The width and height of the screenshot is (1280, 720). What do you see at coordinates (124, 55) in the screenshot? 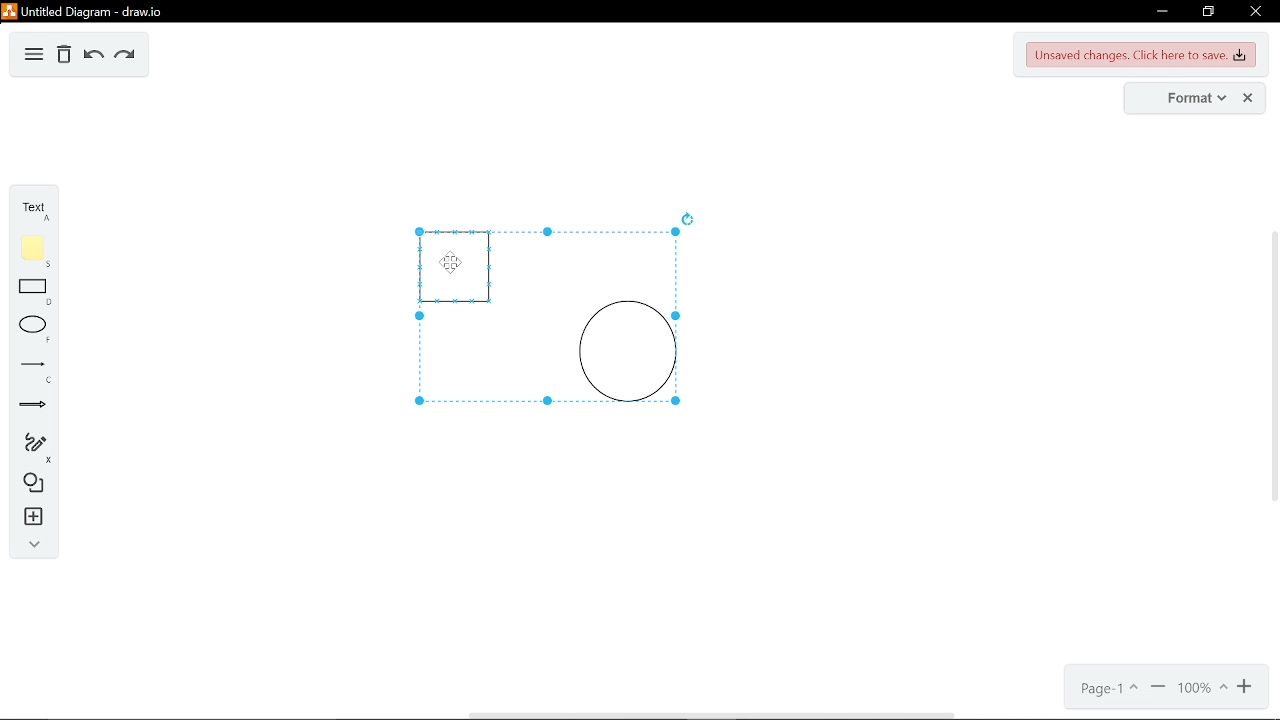
I see `redo` at bounding box center [124, 55].